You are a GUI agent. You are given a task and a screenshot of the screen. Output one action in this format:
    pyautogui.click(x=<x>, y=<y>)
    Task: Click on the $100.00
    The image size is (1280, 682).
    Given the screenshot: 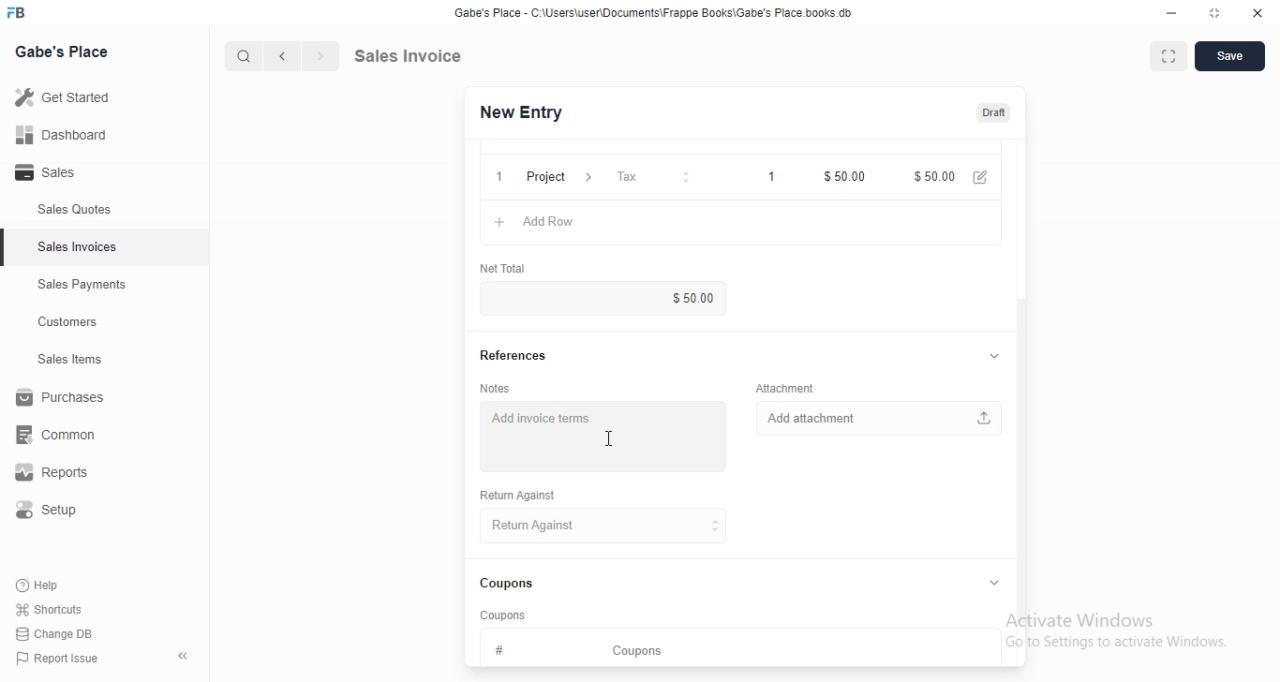 What is the action you would take?
    pyautogui.click(x=930, y=175)
    